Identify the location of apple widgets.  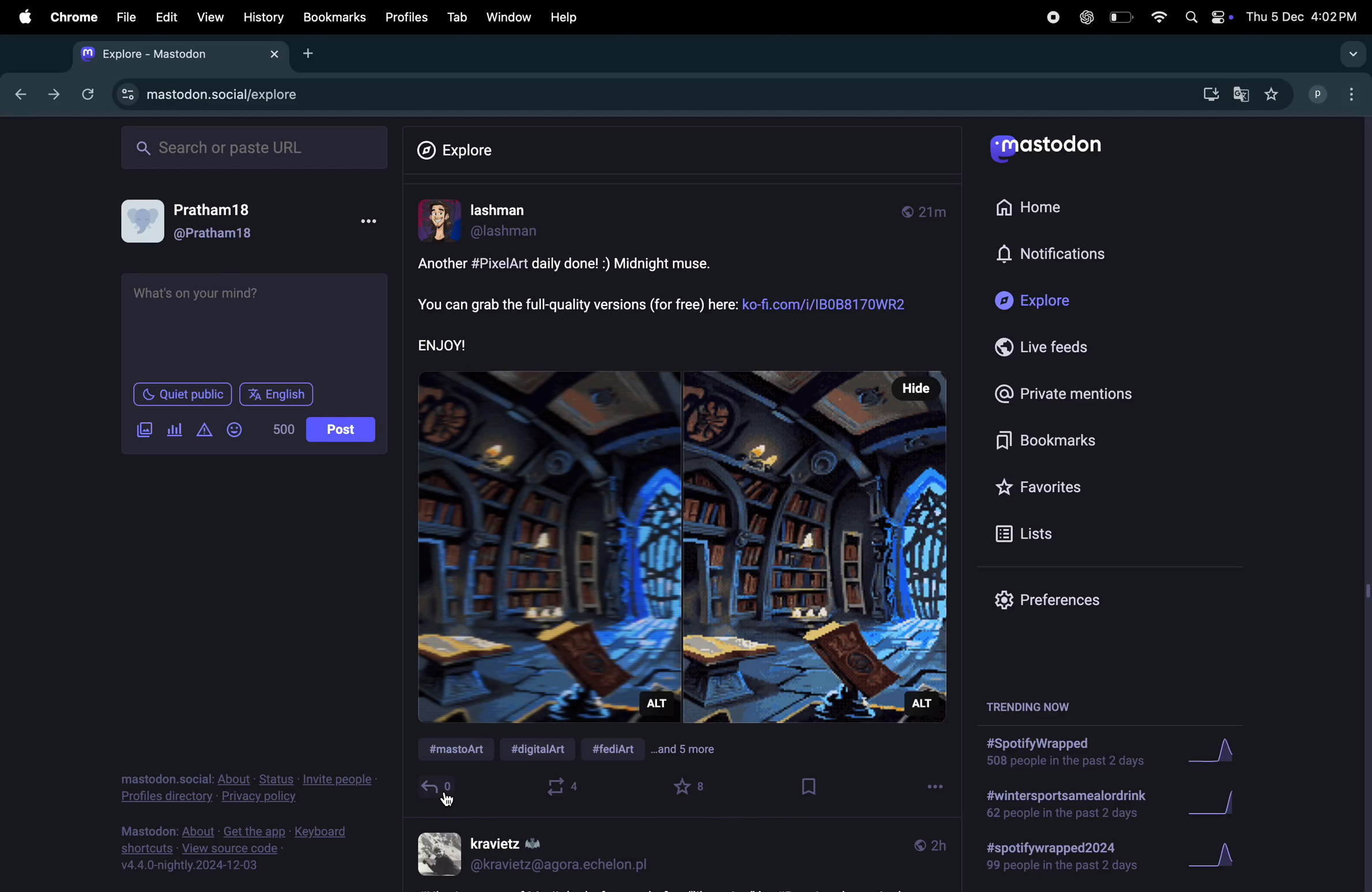
(1207, 17).